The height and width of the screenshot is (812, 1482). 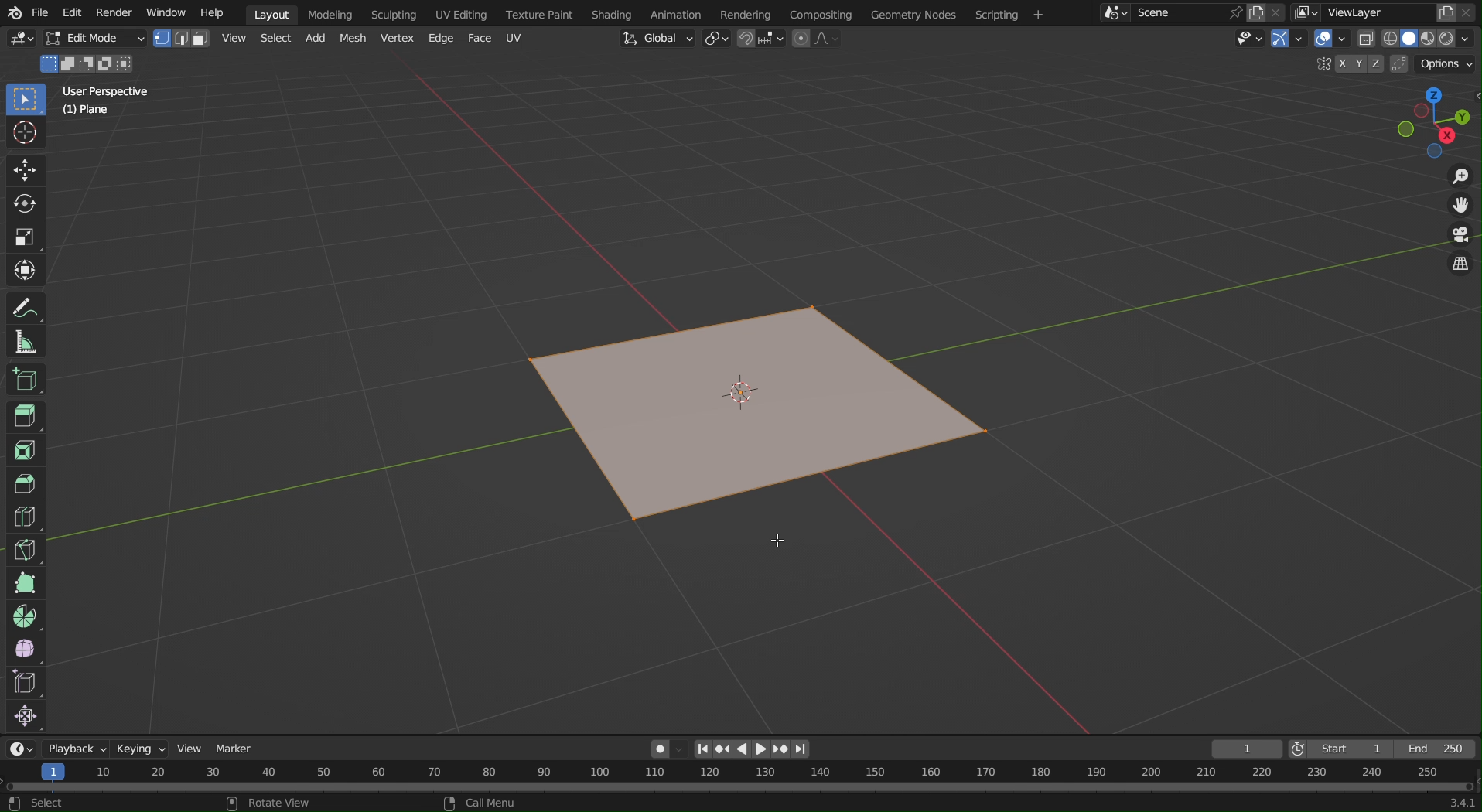 I want to click on Rendering, so click(x=752, y=13).